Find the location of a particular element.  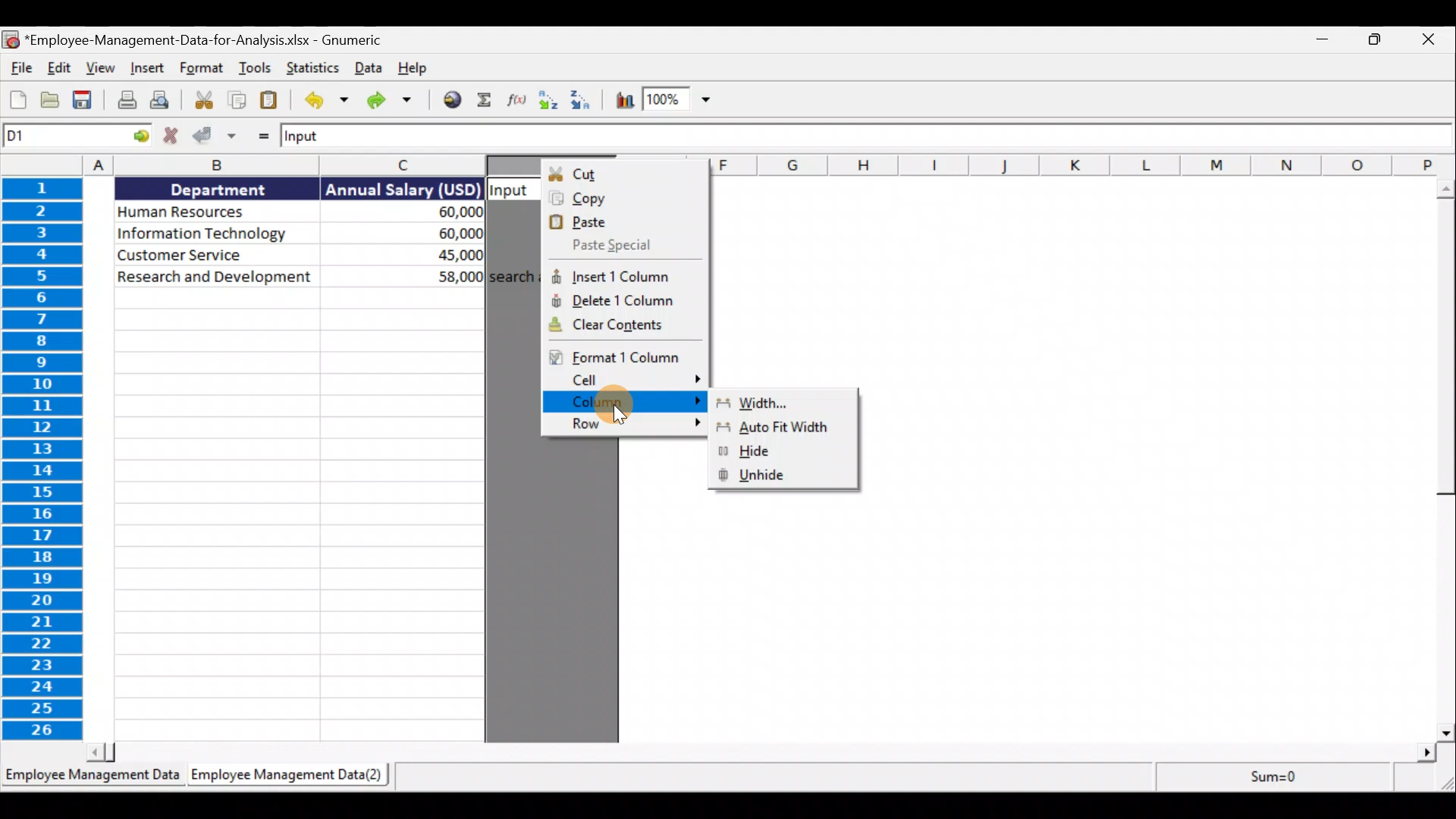

Close is located at coordinates (1432, 38).